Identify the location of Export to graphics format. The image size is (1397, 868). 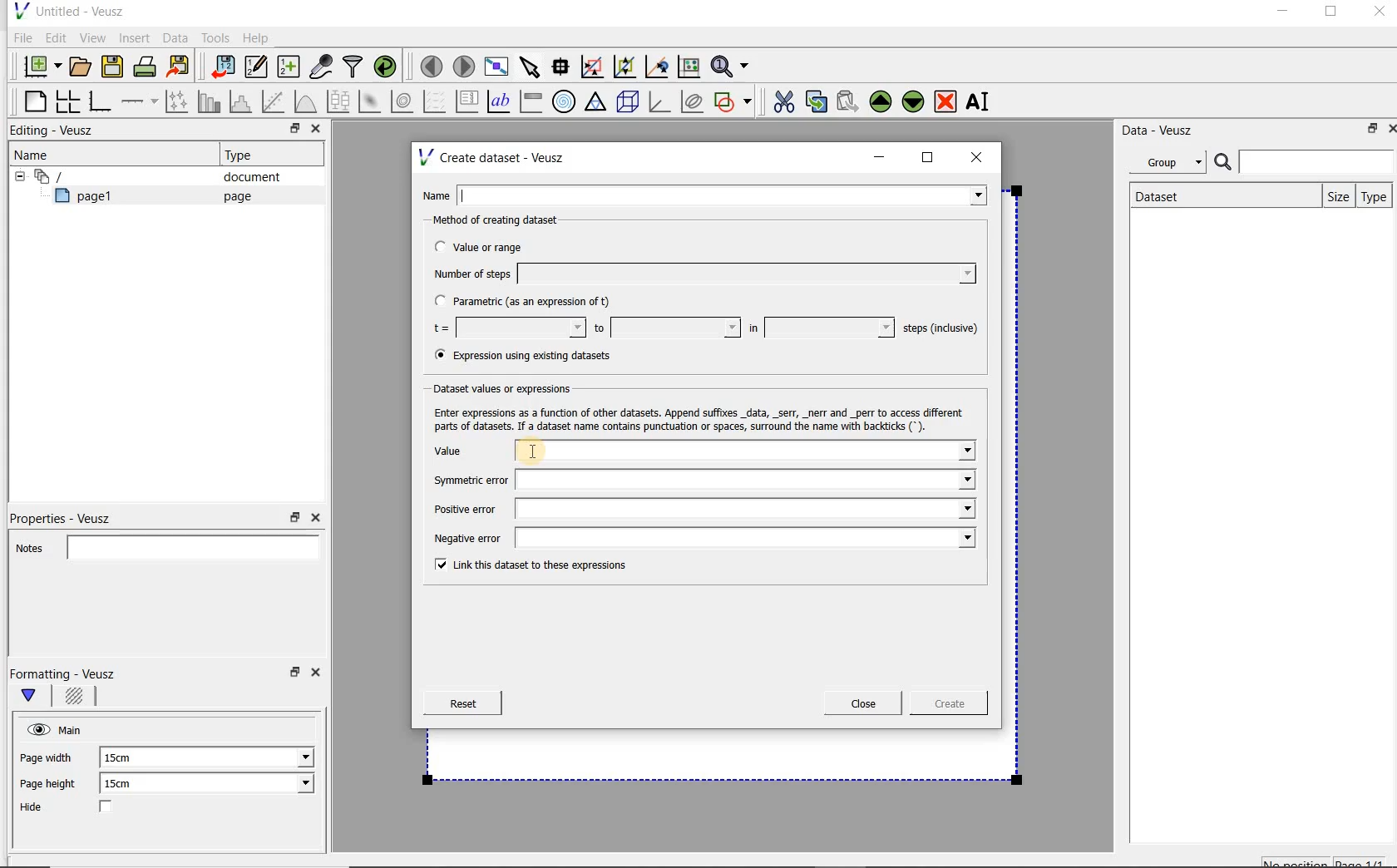
(179, 68).